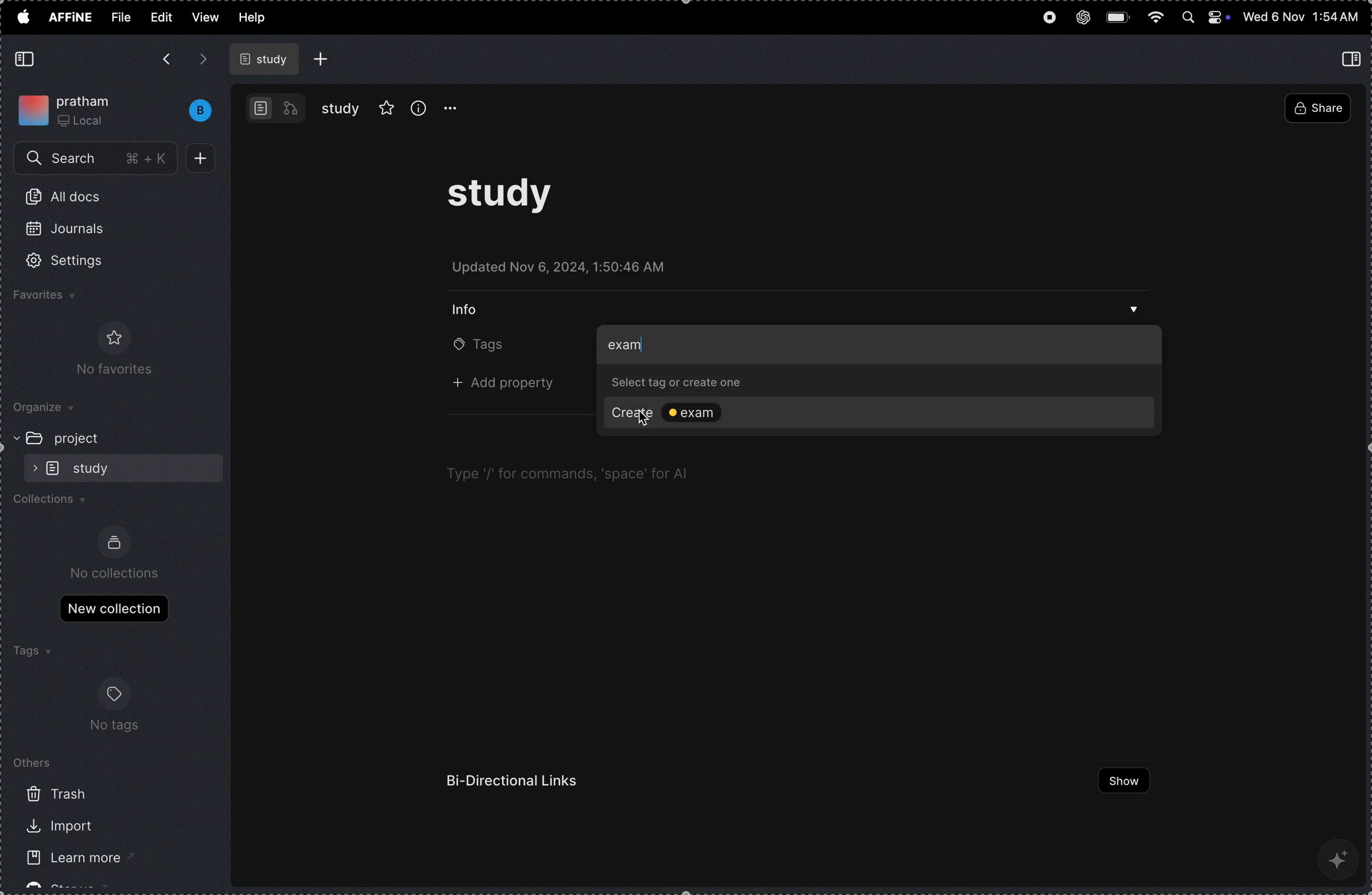  Describe the element at coordinates (165, 61) in the screenshot. I see `backward` at that location.